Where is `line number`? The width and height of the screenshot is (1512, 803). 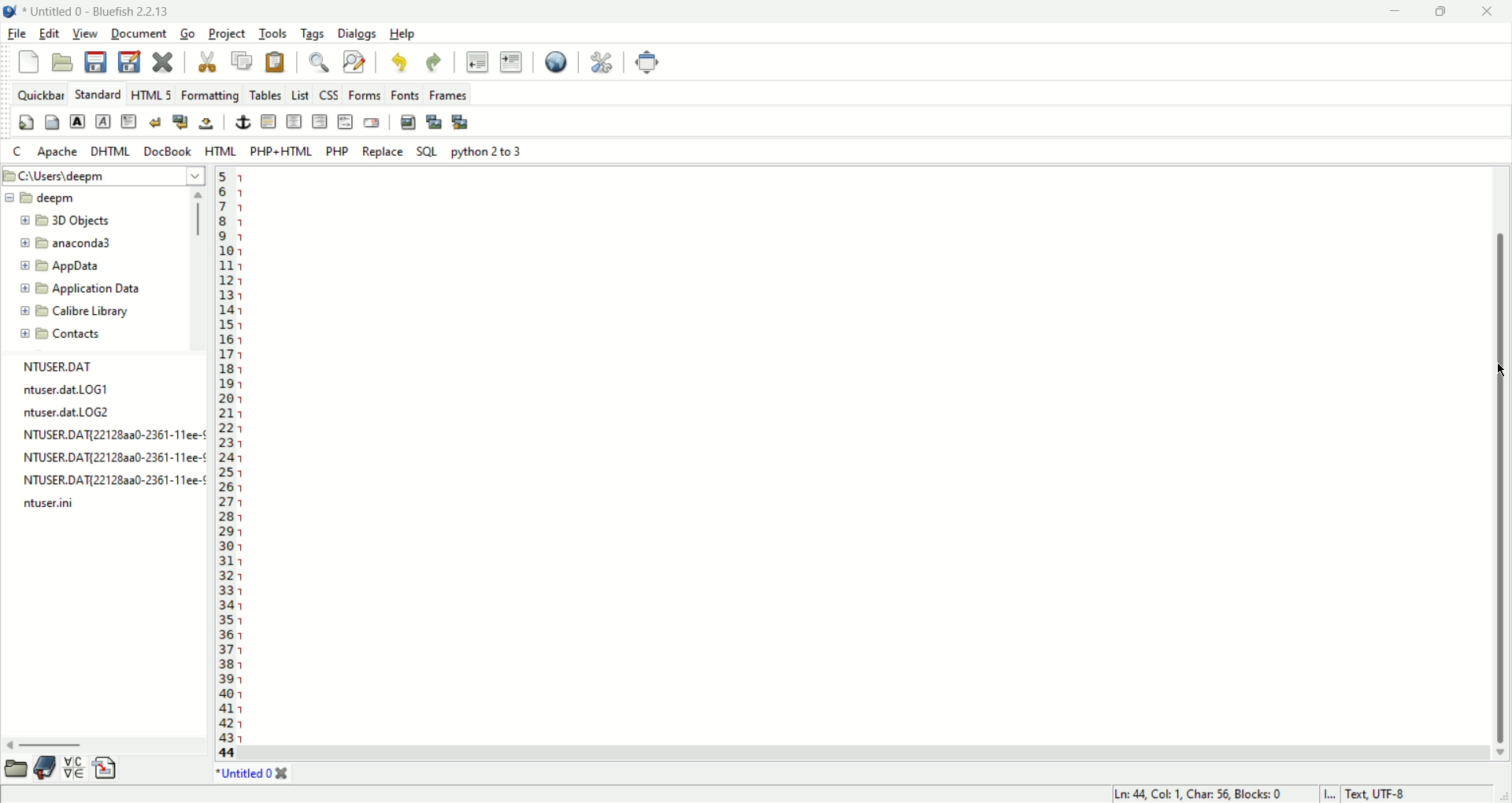
line number is located at coordinates (225, 464).